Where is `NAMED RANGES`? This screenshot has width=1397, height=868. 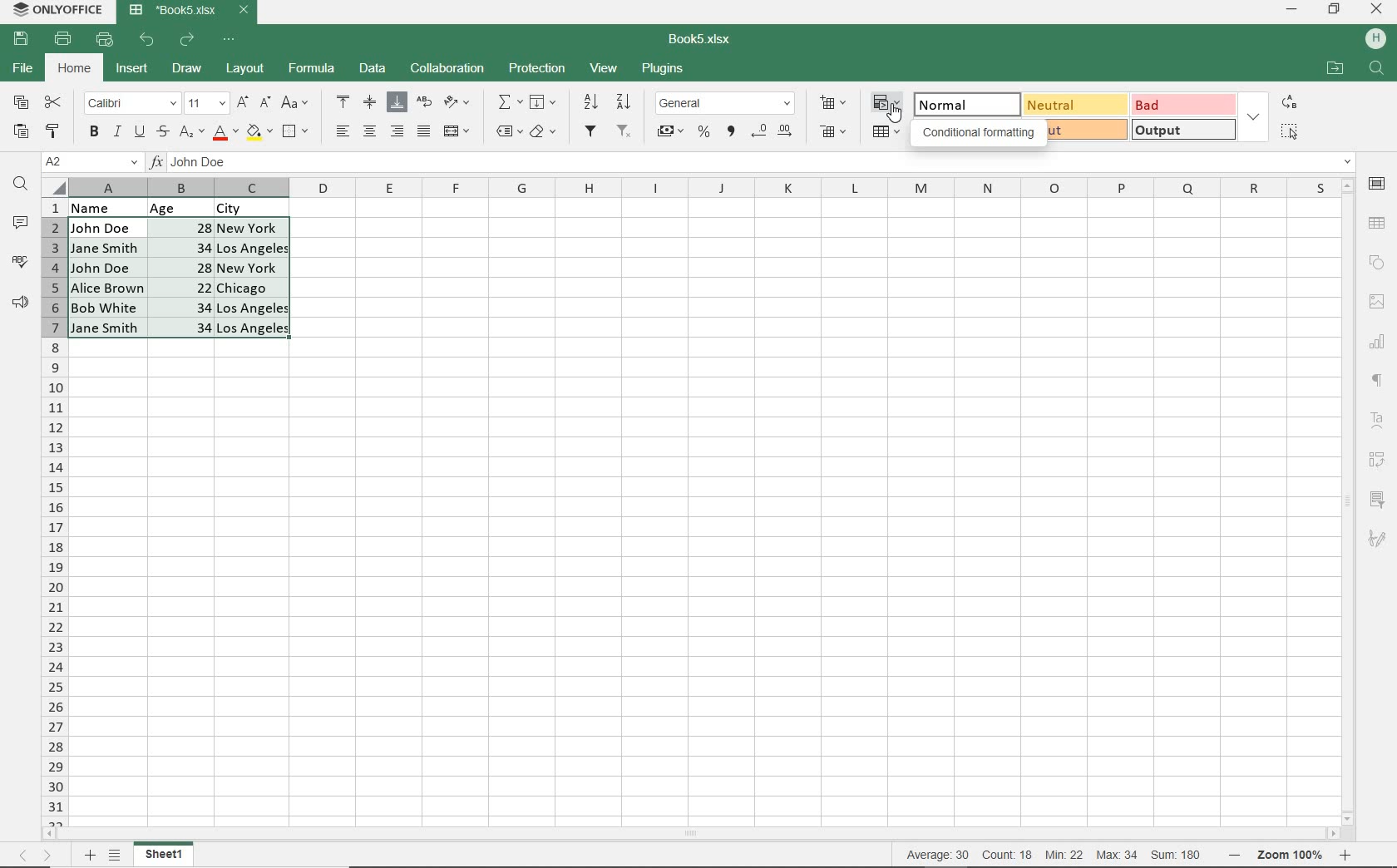 NAMED RANGES is located at coordinates (508, 132).